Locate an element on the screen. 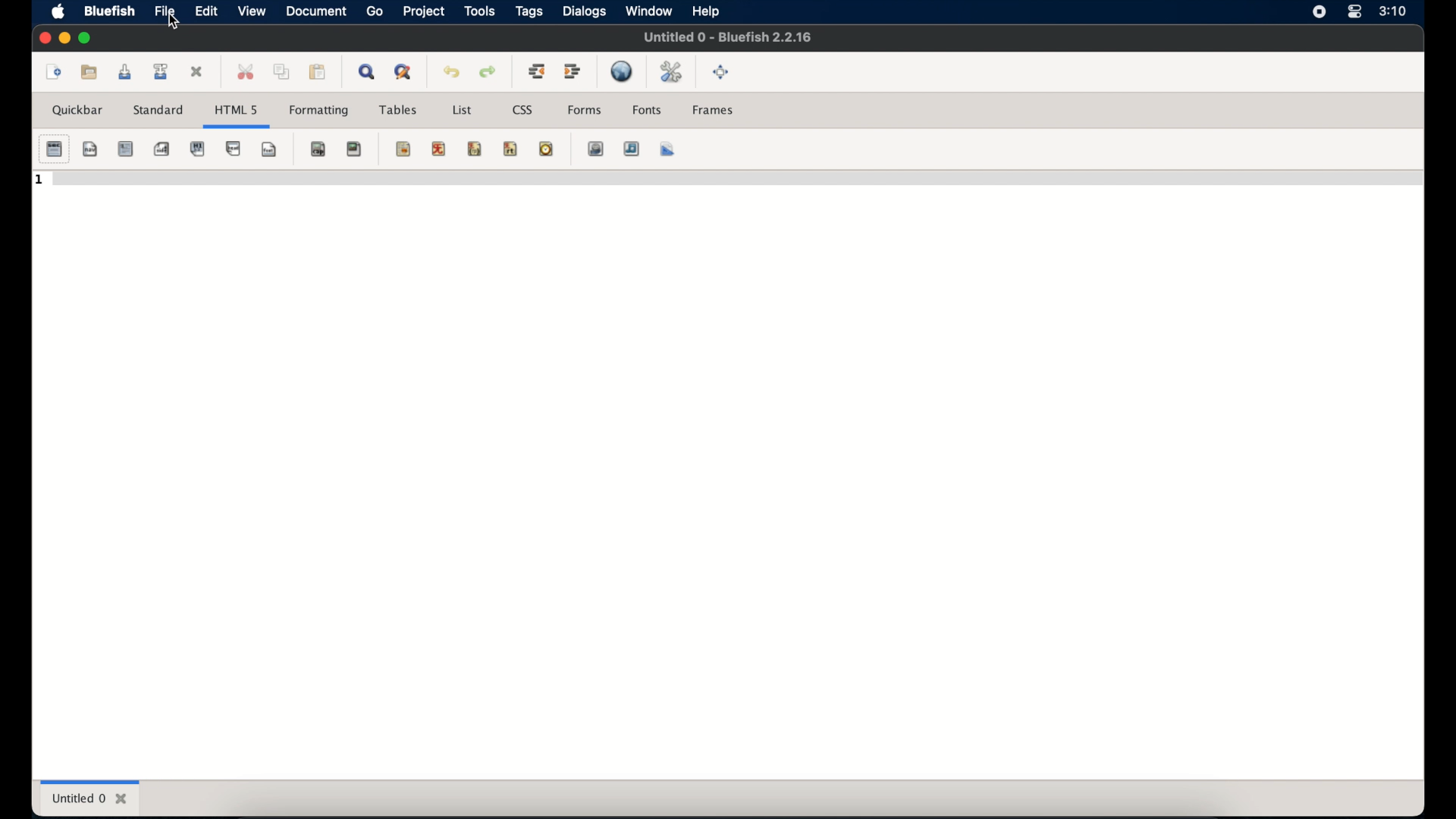 The width and height of the screenshot is (1456, 819). fullscreen  is located at coordinates (721, 72).